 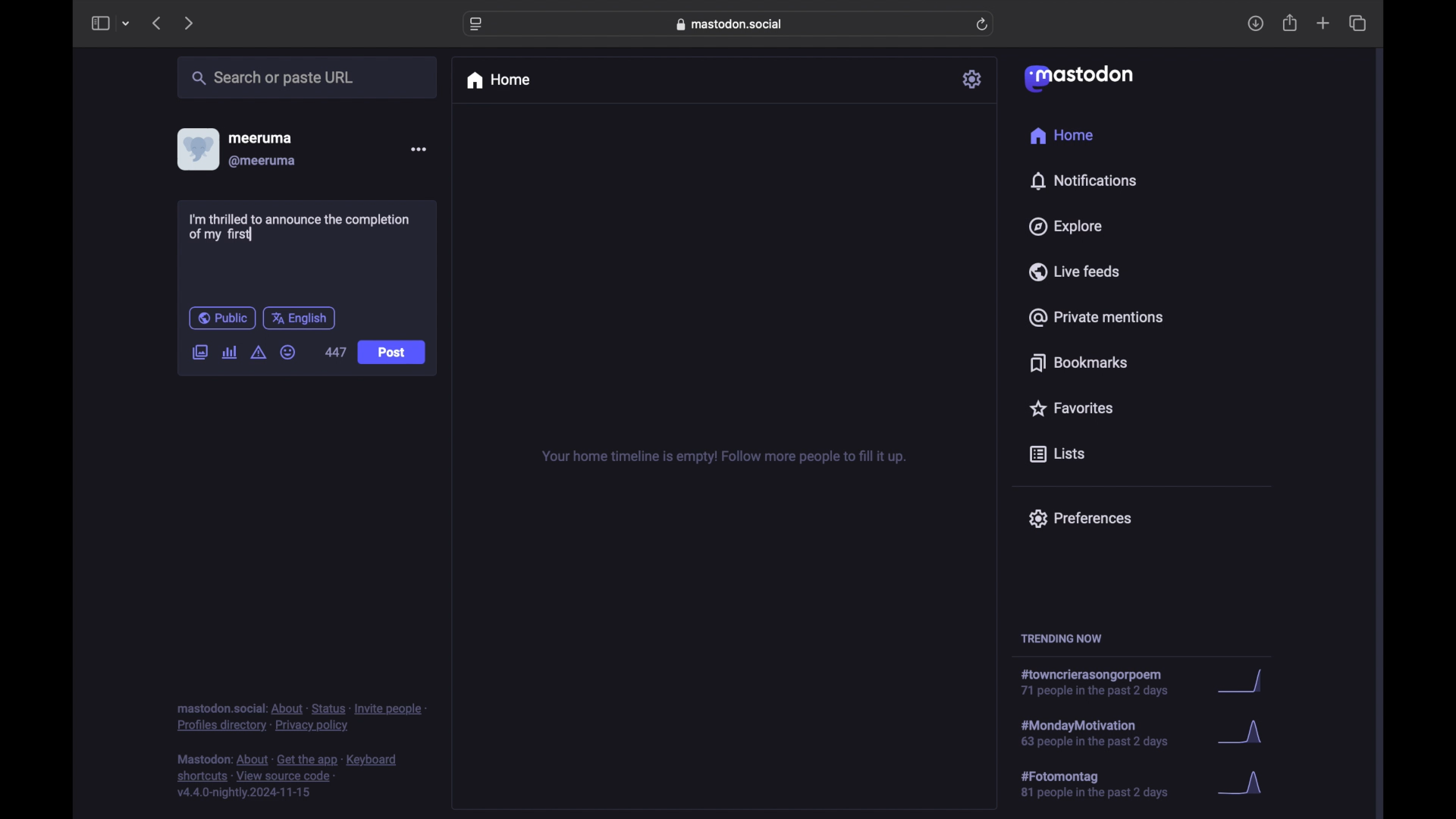 I want to click on emoji, so click(x=288, y=352).